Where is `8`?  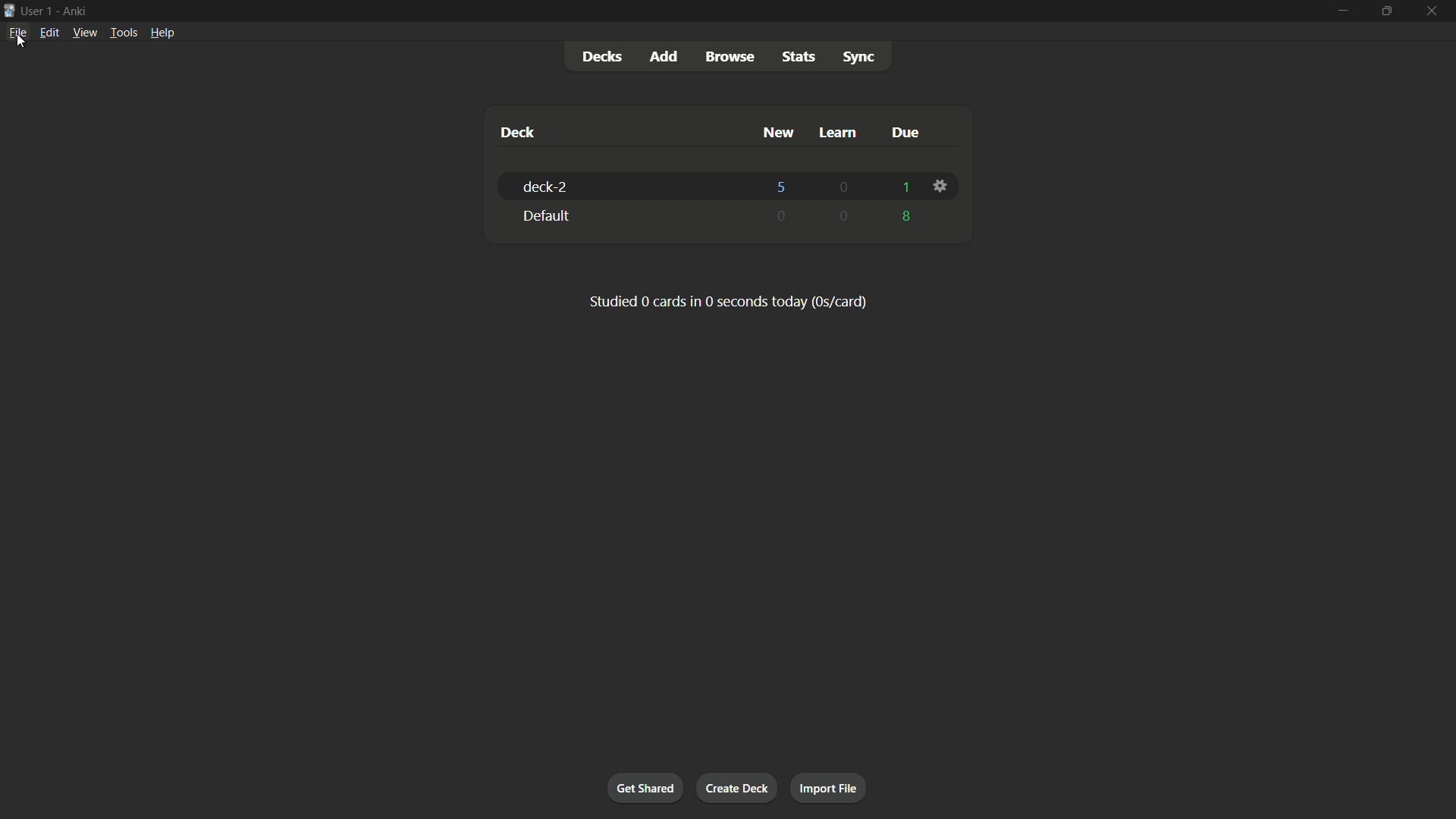
8 is located at coordinates (908, 217).